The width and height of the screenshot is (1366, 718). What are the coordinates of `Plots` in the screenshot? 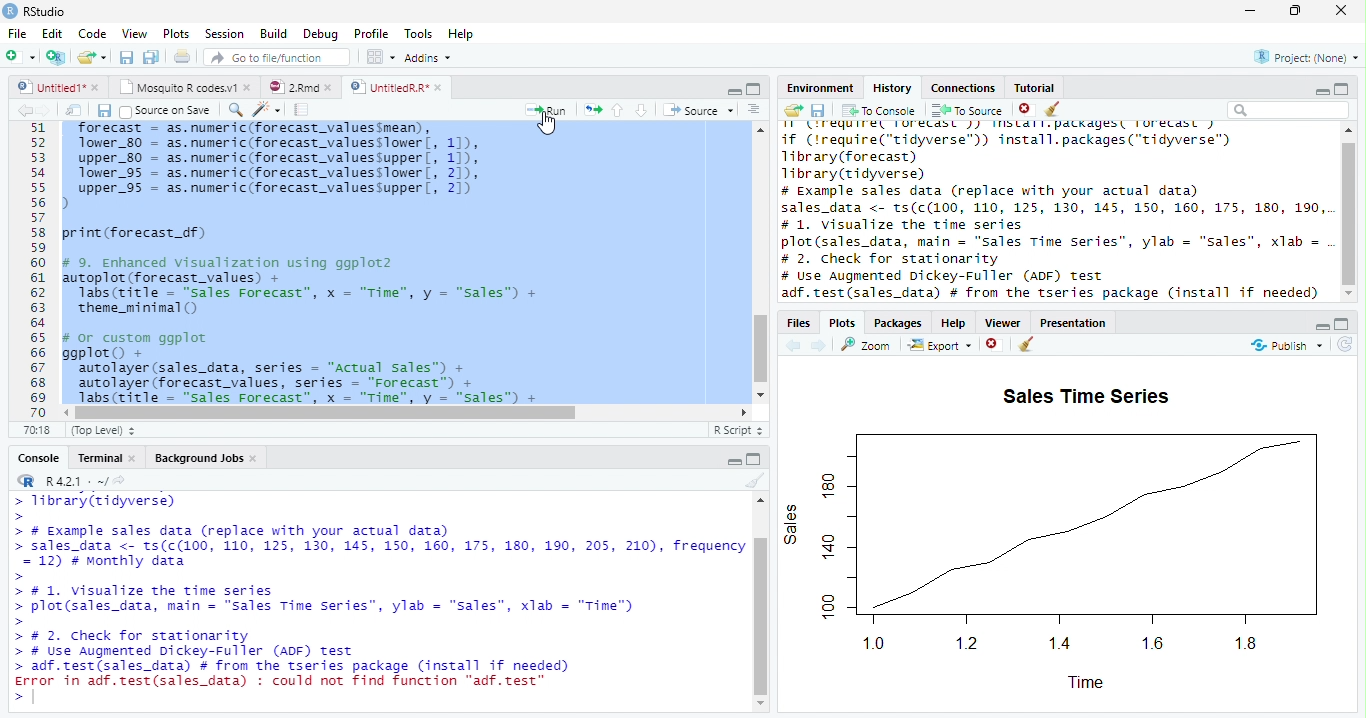 It's located at (175, 32).